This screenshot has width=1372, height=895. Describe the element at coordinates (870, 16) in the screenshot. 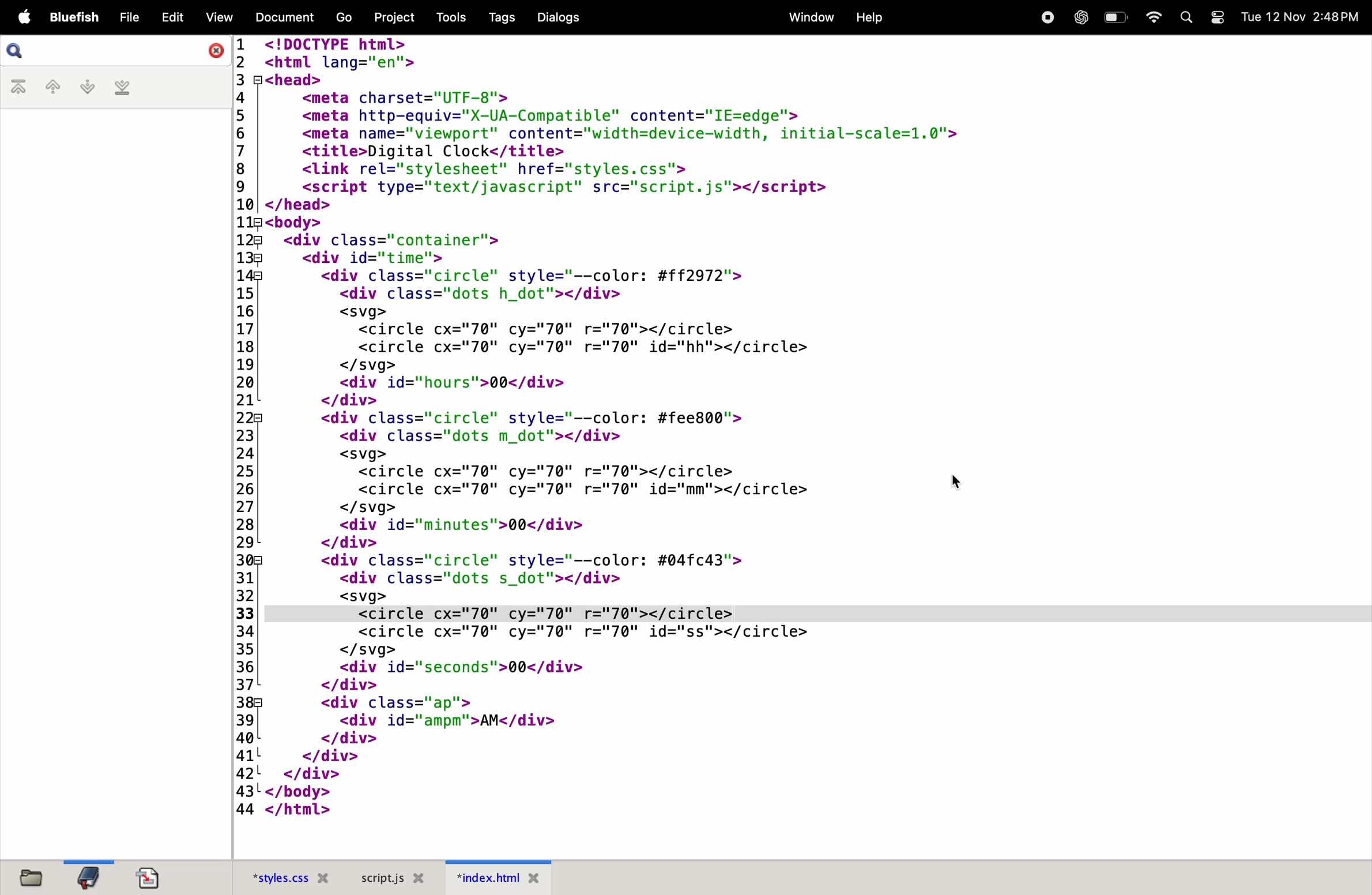

I see `help` at that location.